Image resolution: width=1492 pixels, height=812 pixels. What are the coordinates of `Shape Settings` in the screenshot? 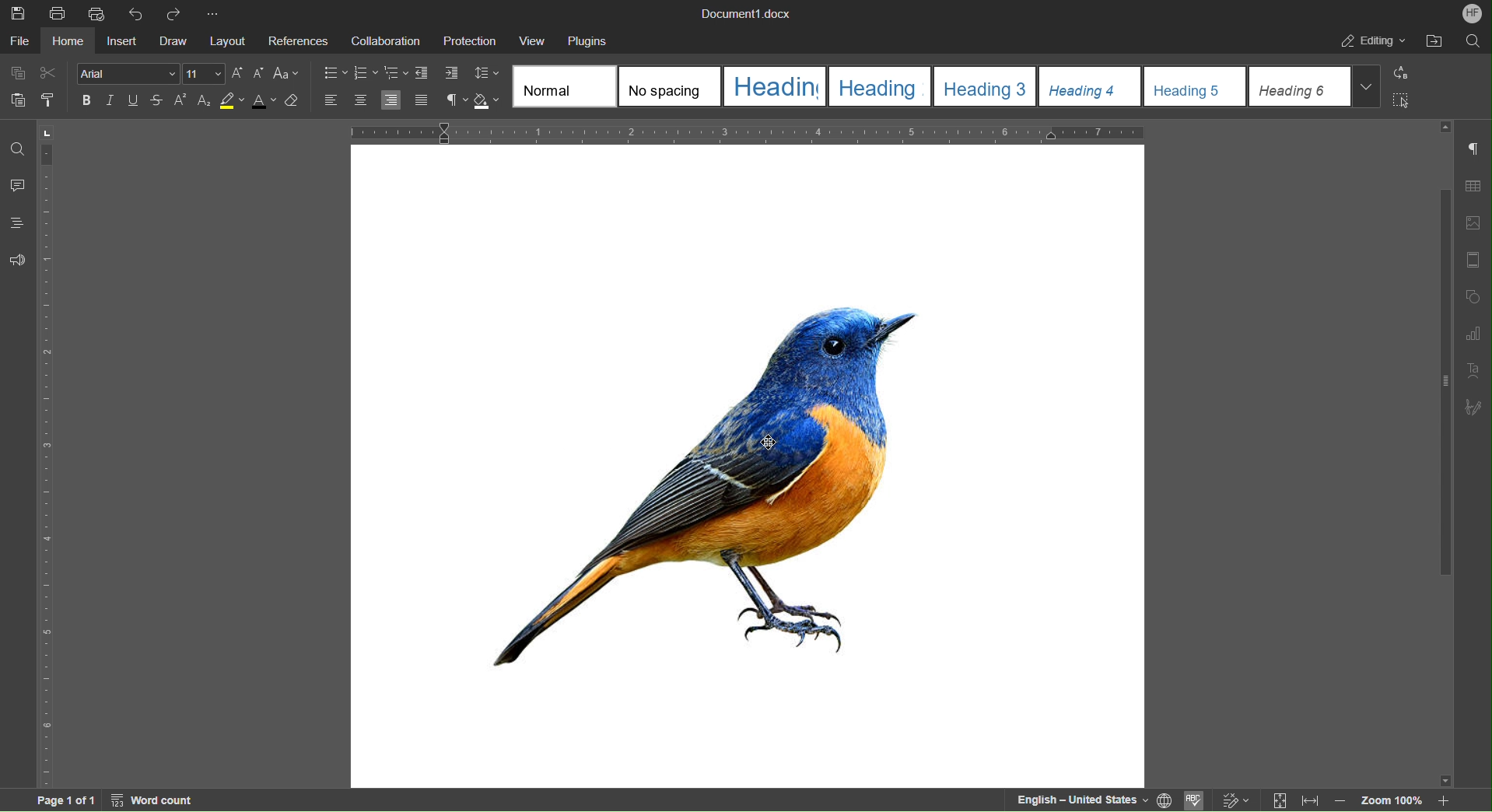 It's located at (1472, 295).